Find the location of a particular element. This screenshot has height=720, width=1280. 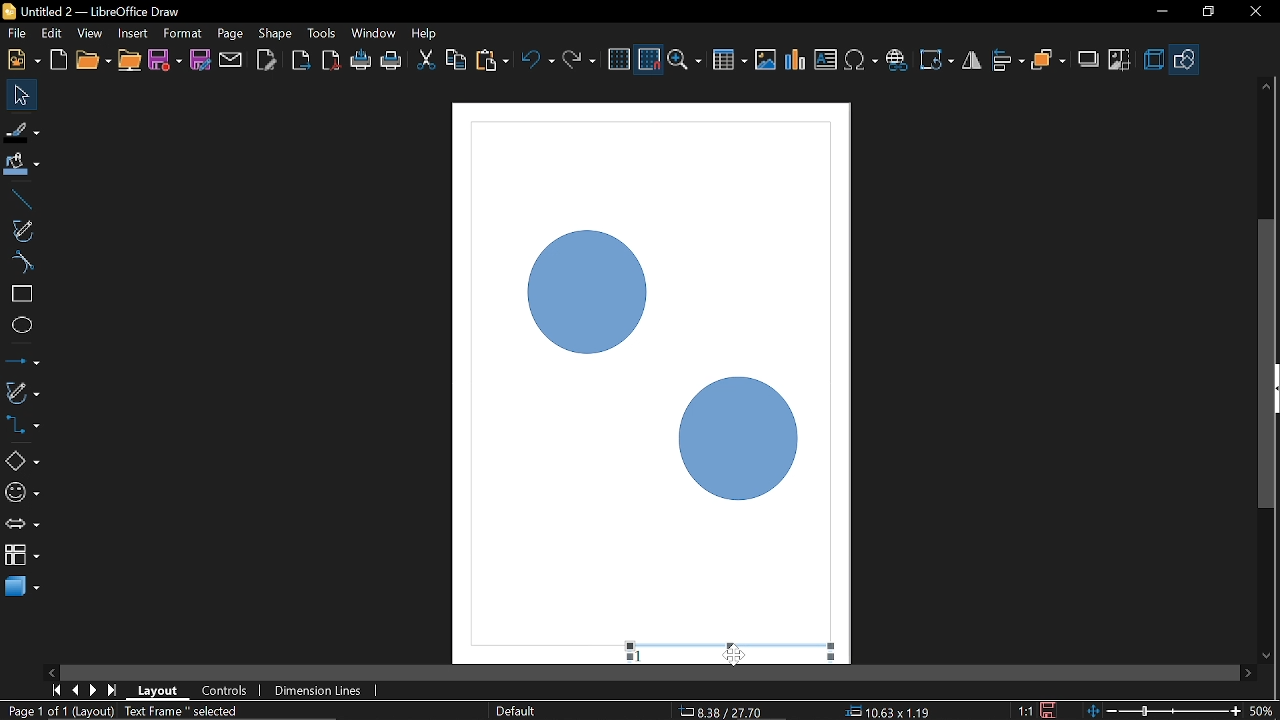

print directly is located at coordinates (392, 60).